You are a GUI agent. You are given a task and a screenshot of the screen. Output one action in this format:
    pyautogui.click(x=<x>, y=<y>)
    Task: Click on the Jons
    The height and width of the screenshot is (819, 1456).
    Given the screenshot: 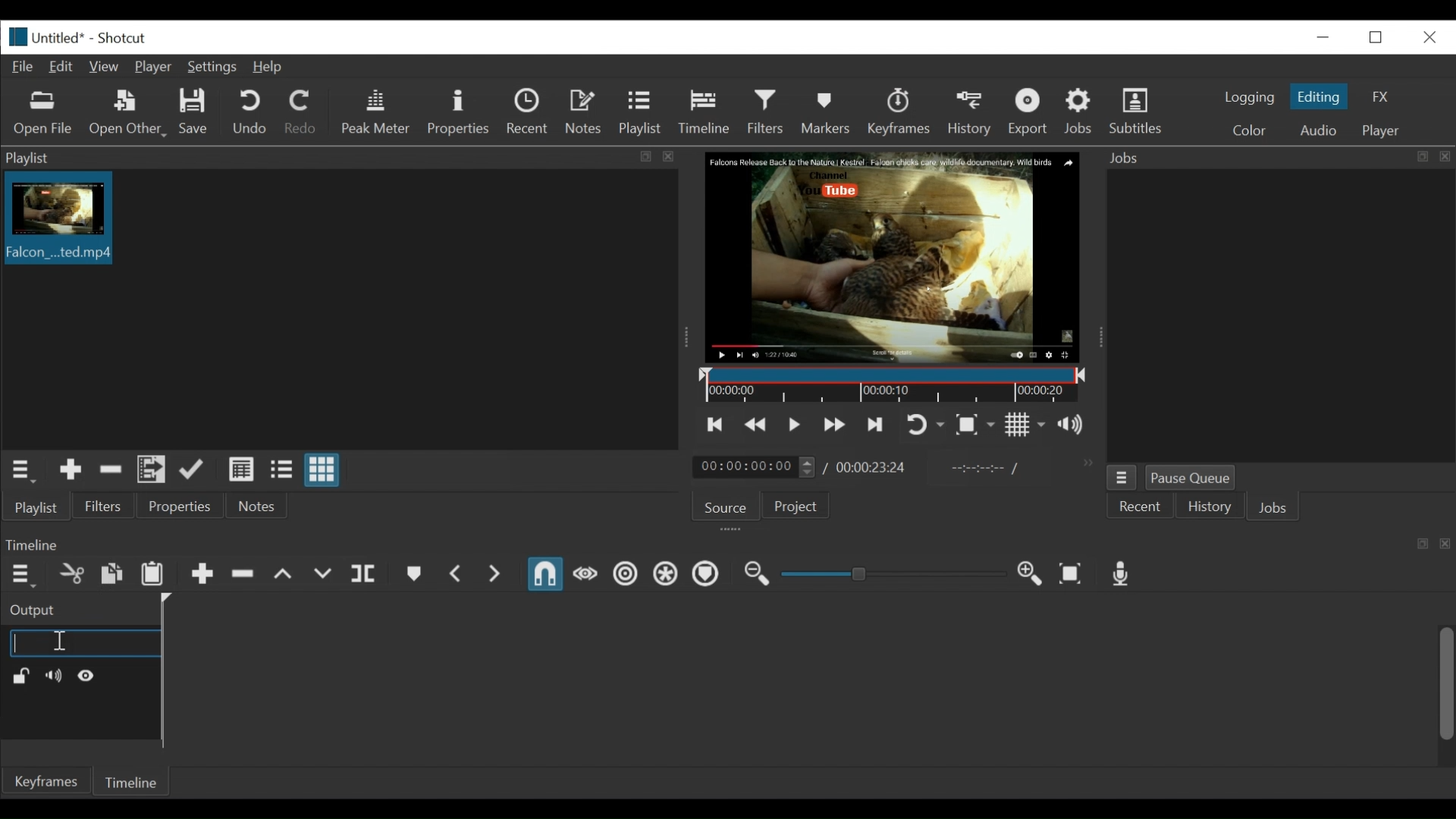 What is the action you would take?
    pyautogui.click(x=1275, y=509)
    